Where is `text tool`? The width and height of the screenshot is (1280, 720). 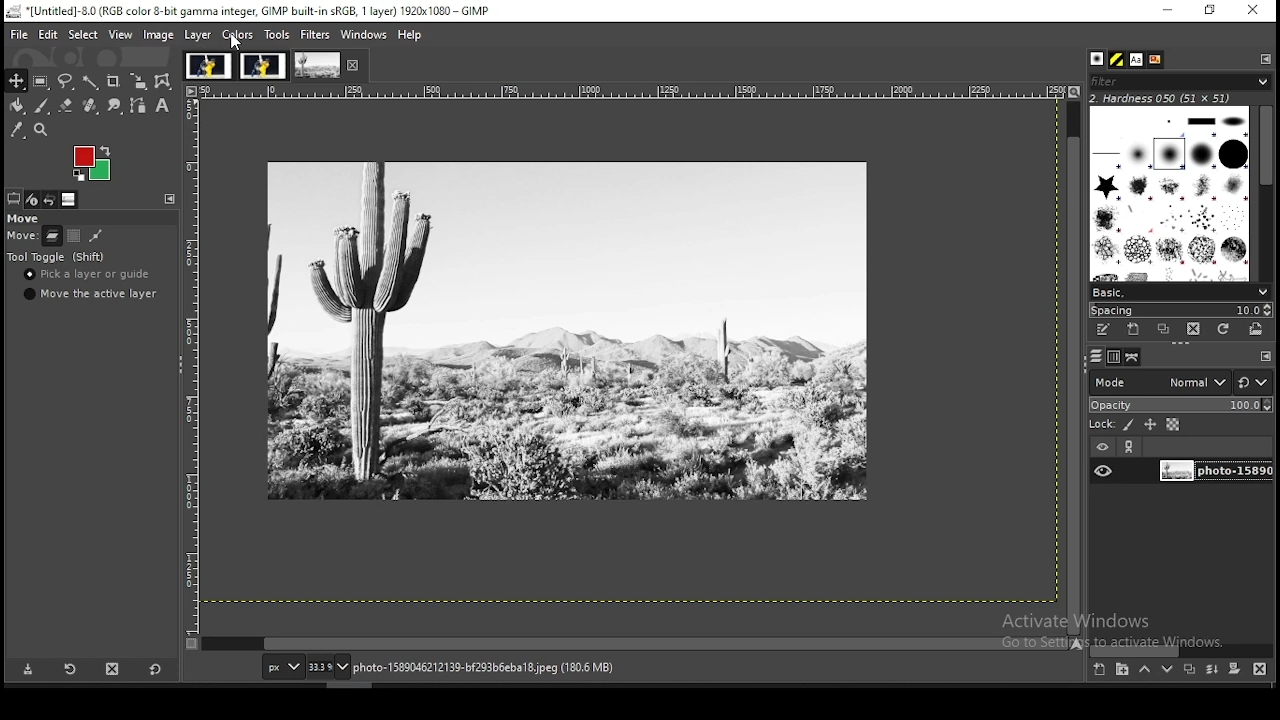
text tool is located at coordinates (164, 106).